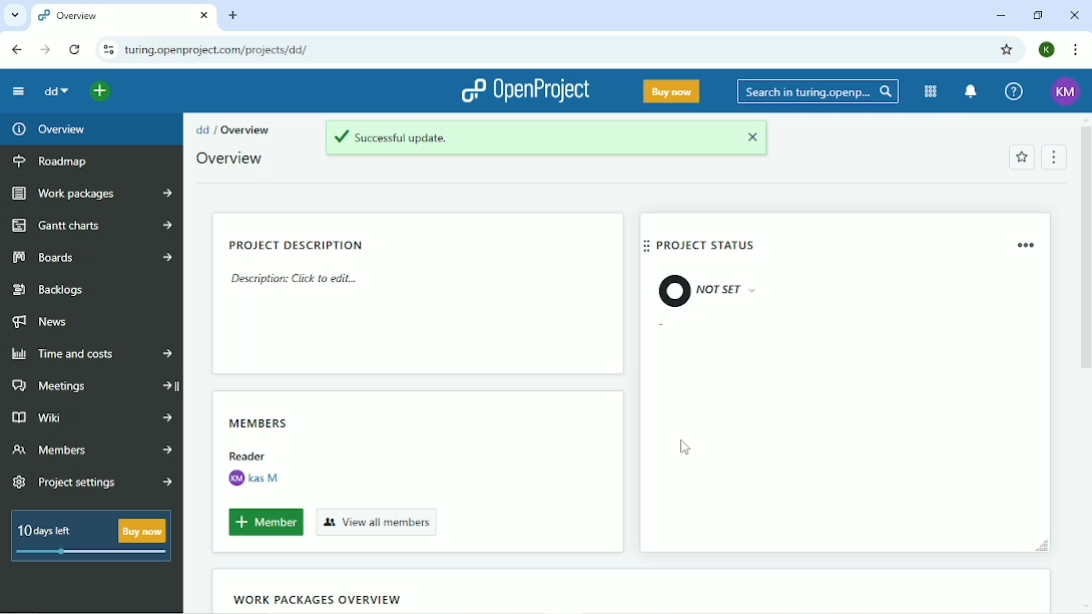 This screenshot has height=614, width=1092. I want to click on Not set, so click(713, 291).